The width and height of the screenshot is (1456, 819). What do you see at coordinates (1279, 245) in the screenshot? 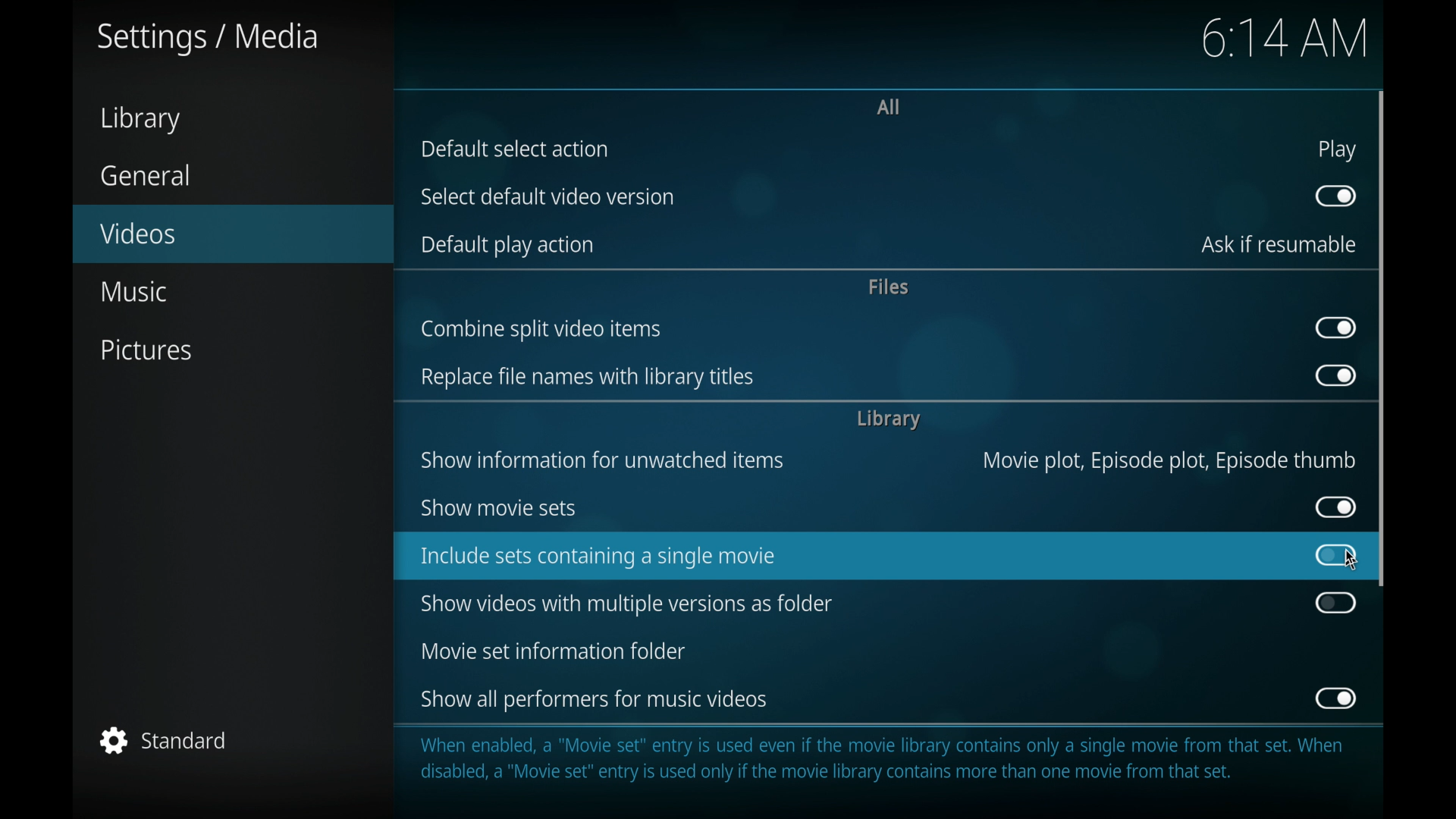
I see `ask if resumable` at bounding box center [1279, 245].